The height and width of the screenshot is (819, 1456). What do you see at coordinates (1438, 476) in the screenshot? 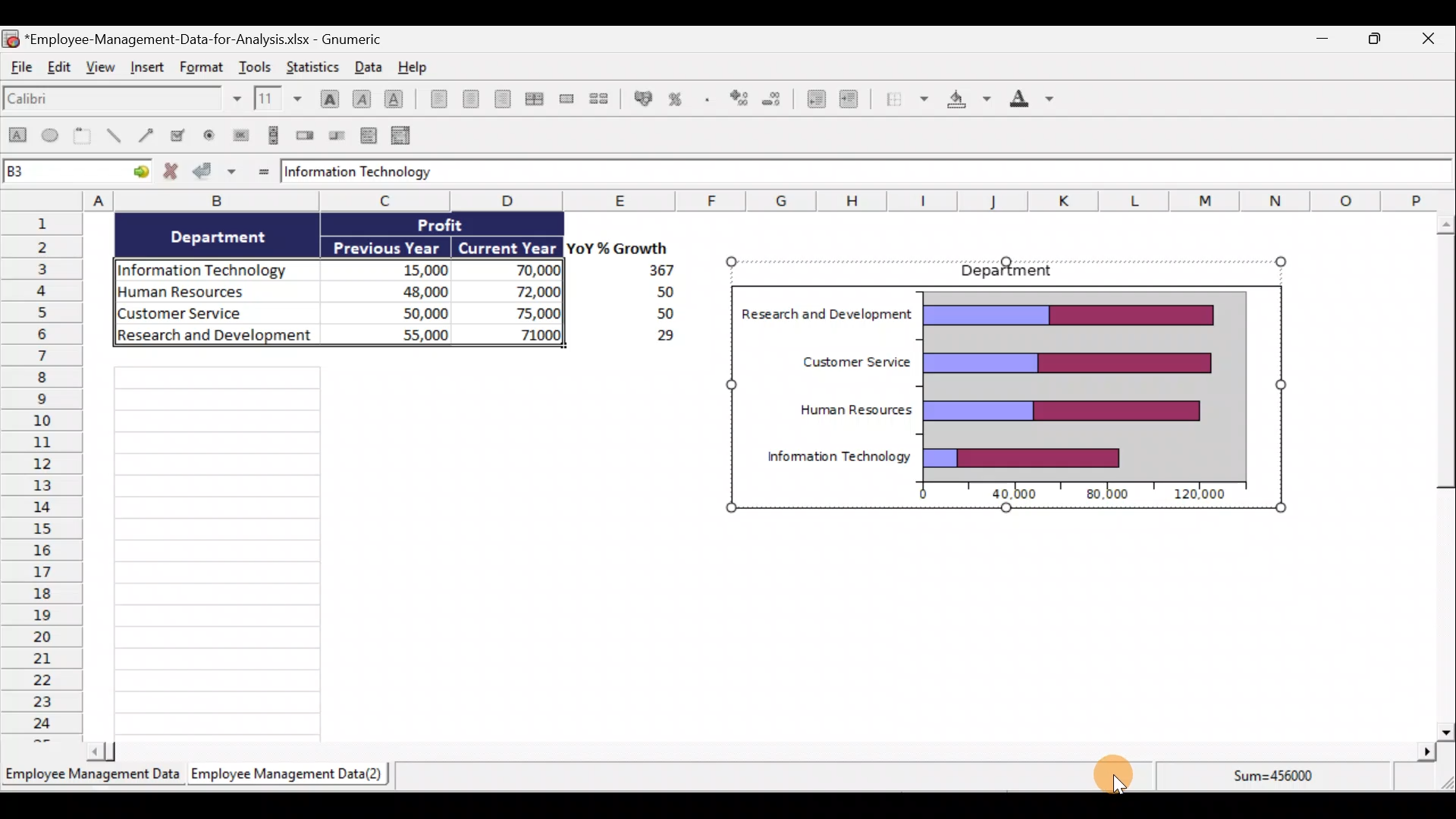
I see `Scroll bar` at bounding box center [1438, 476].